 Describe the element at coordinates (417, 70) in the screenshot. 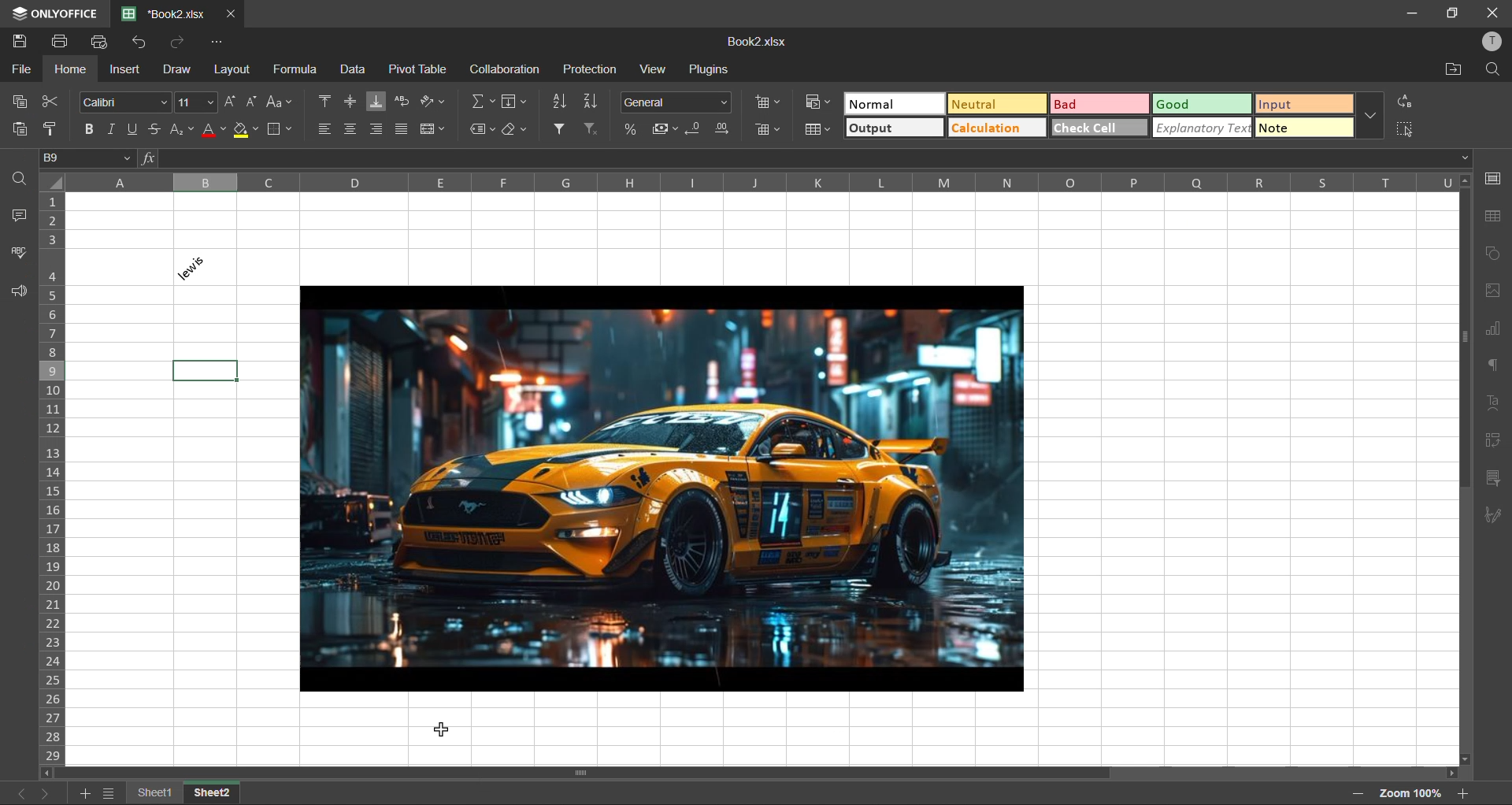

I see `pivot table` at that location.